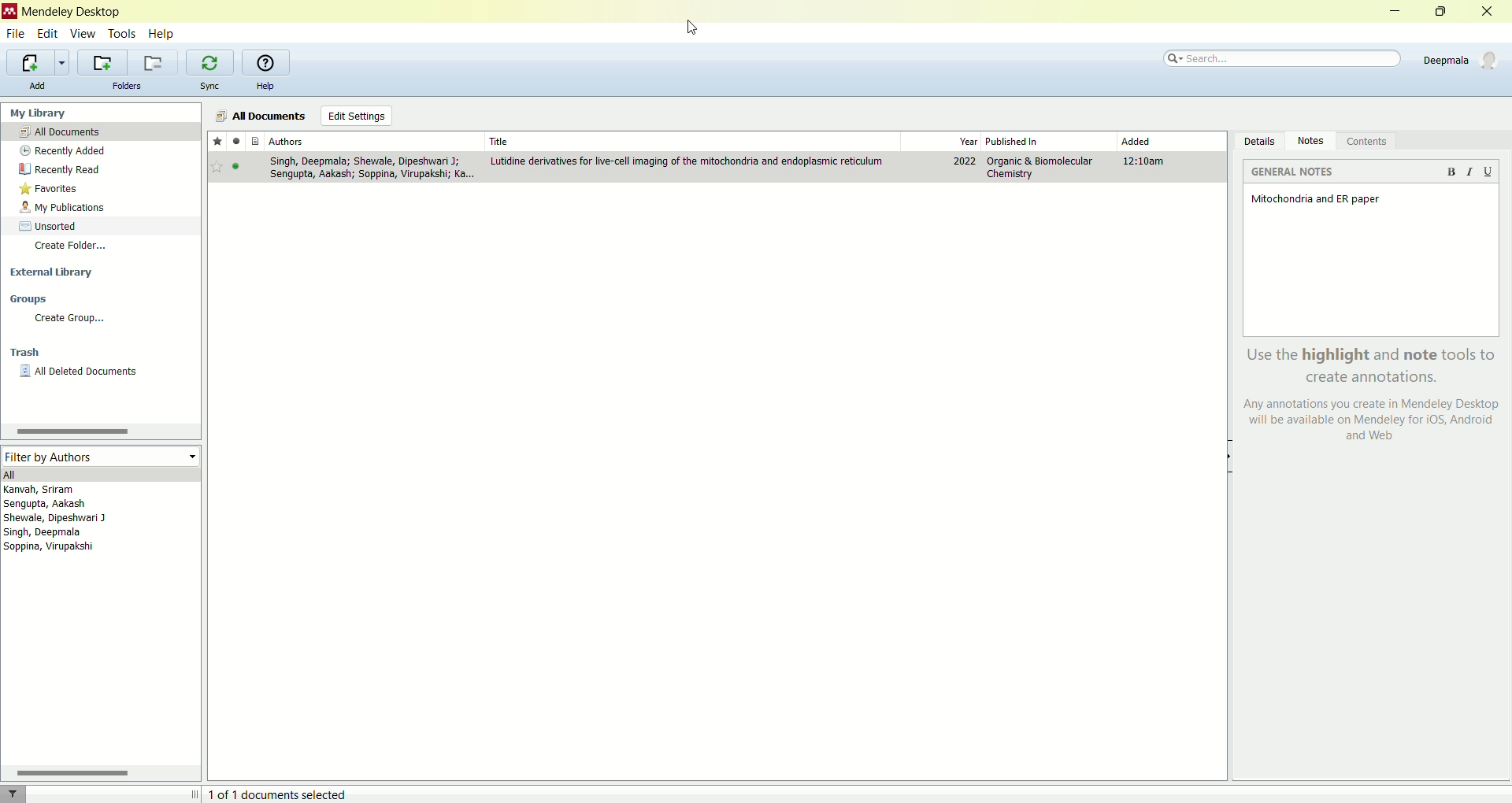  I want to click on general notes, so click(1294, 173).